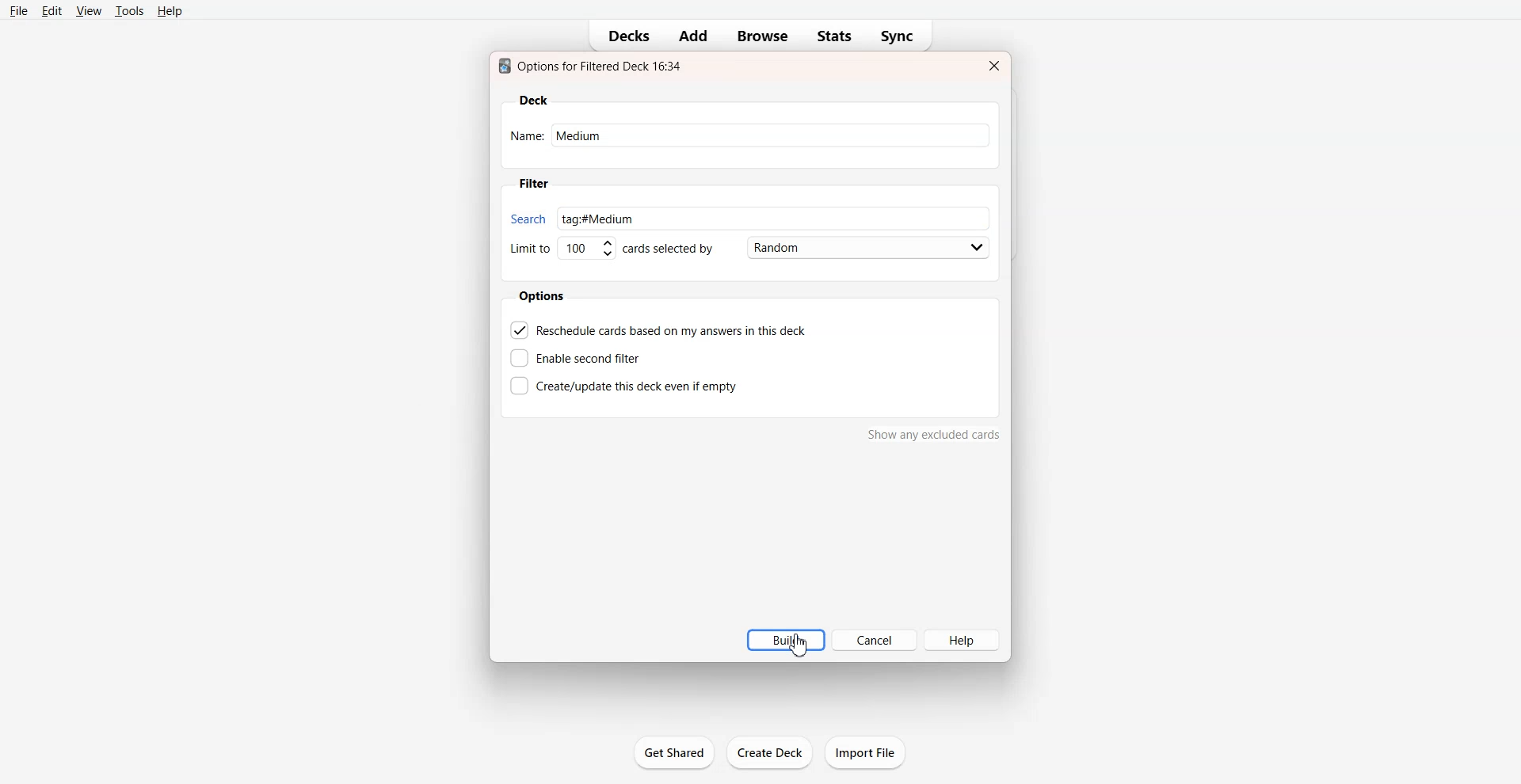 Image resolution: width=1521 pixels, height=784 pixels. I want to click on Reschedule cards based on my answer, so click(660, 329).